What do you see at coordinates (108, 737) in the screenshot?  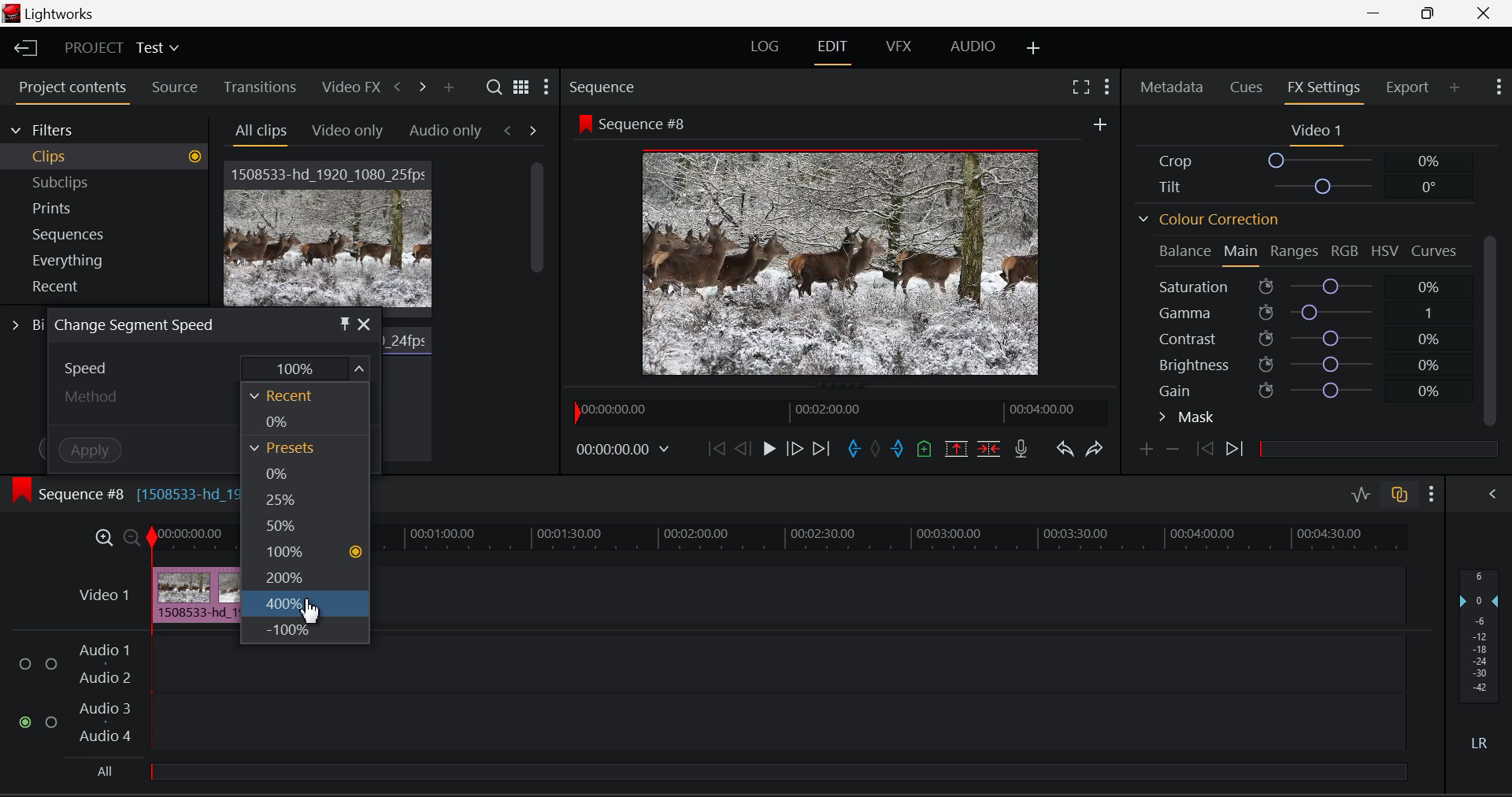 I see `Audio 4` at bounding box center [108, 737].